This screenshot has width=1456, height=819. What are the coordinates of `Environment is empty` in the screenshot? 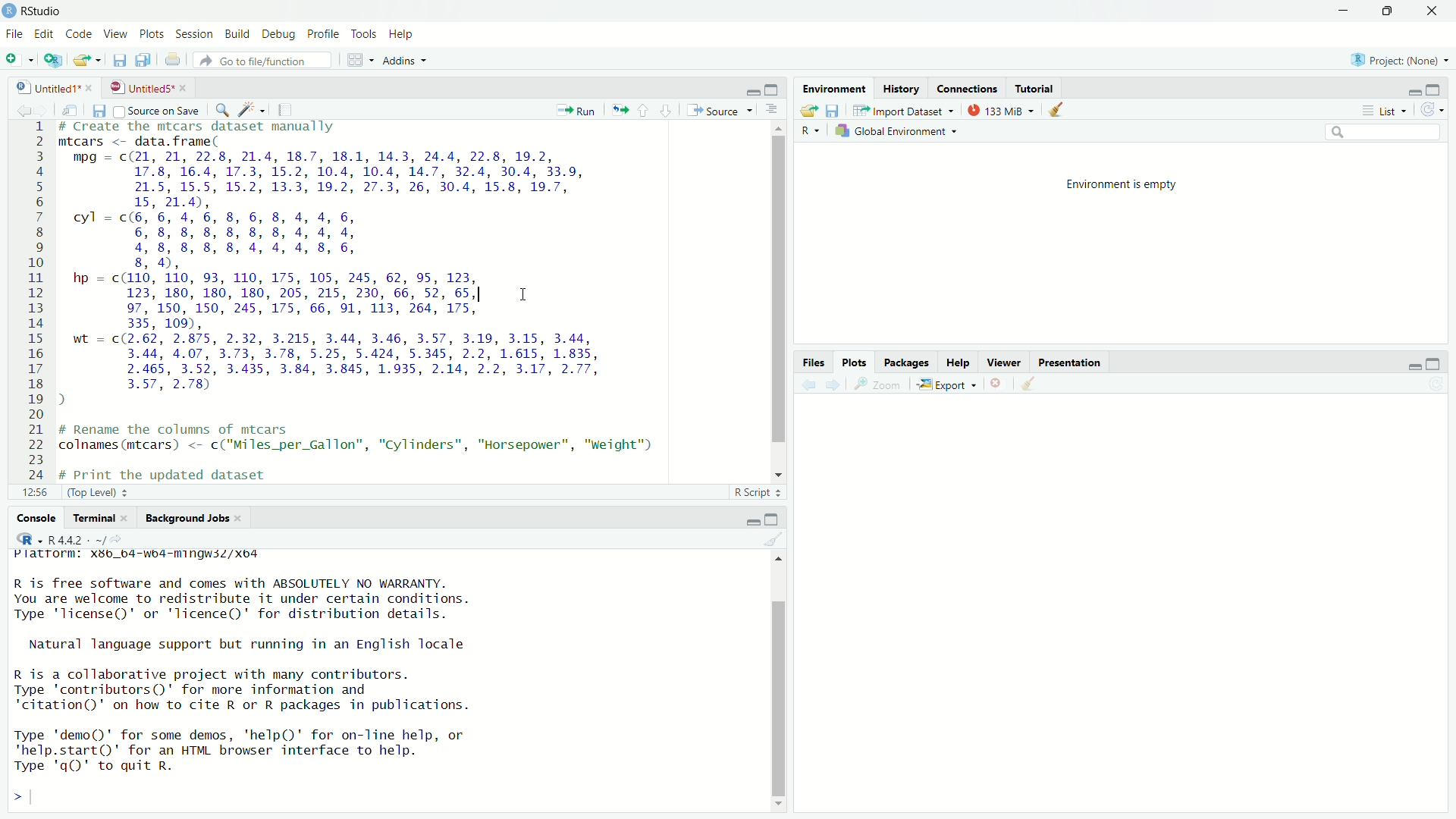 It's located at (1123, 183).